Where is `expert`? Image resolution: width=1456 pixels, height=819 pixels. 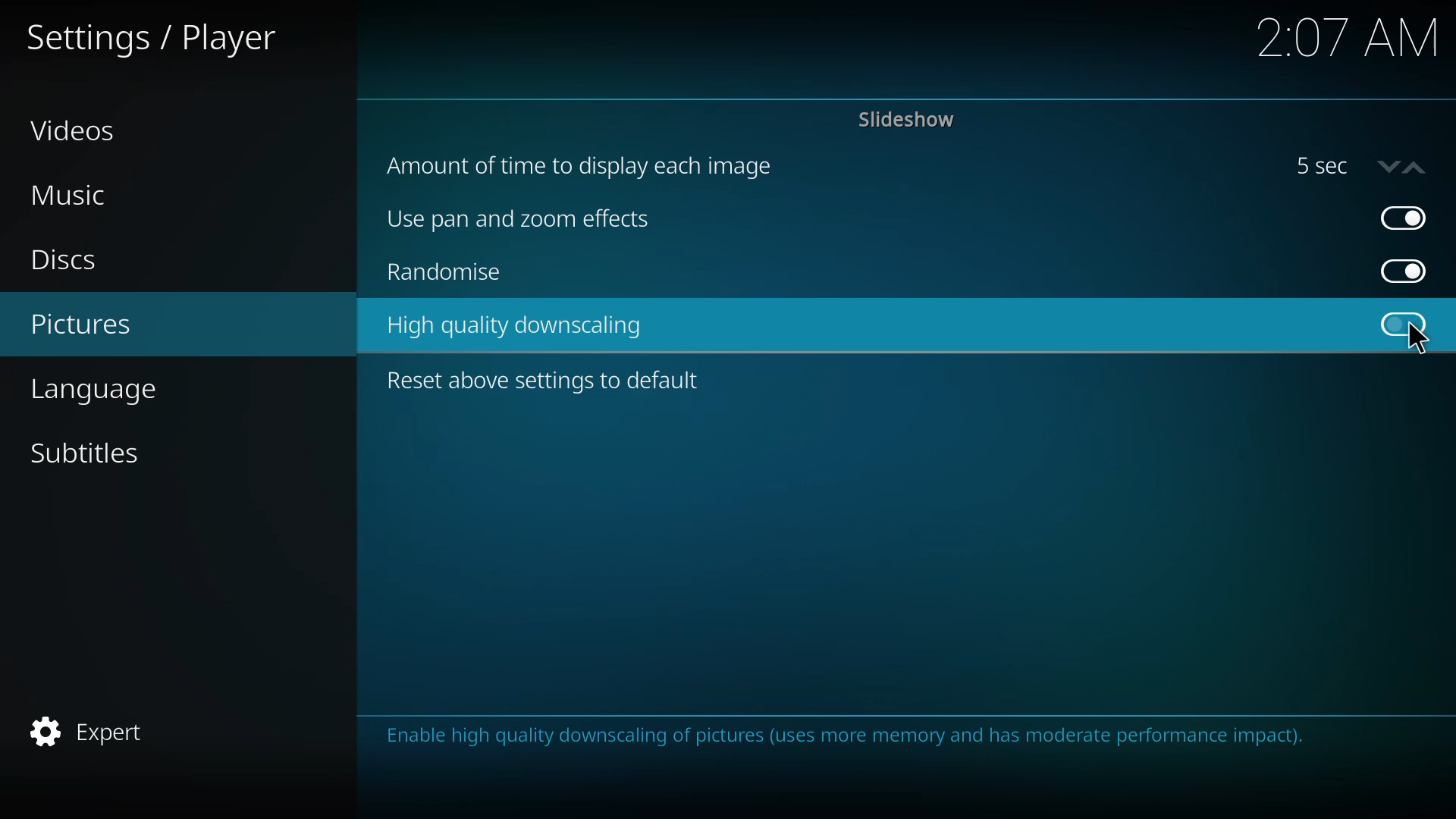
expert is located at coordinates (93, 731).